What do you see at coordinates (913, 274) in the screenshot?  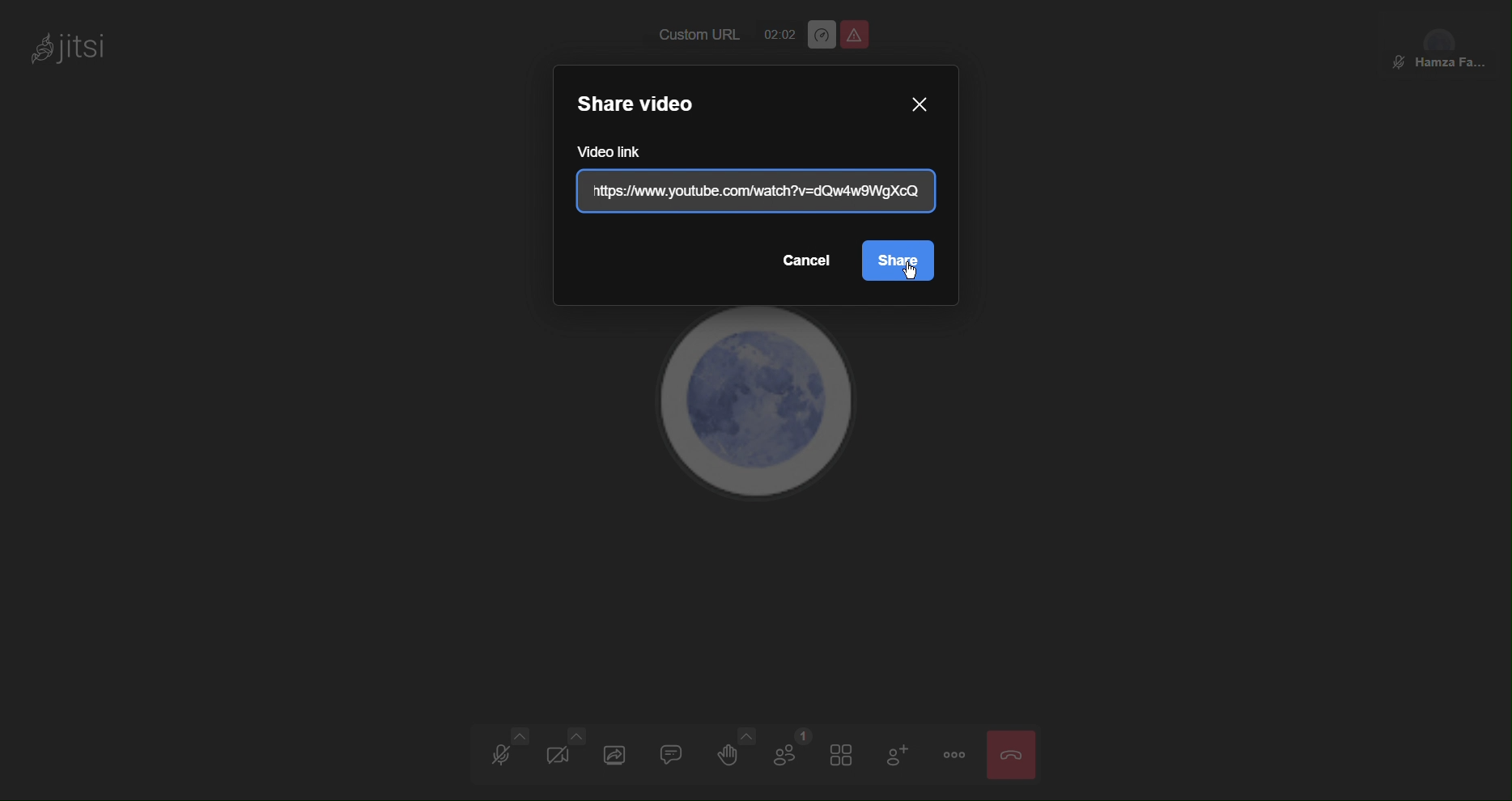 I see `cursor` at bounding box center [913, 274].